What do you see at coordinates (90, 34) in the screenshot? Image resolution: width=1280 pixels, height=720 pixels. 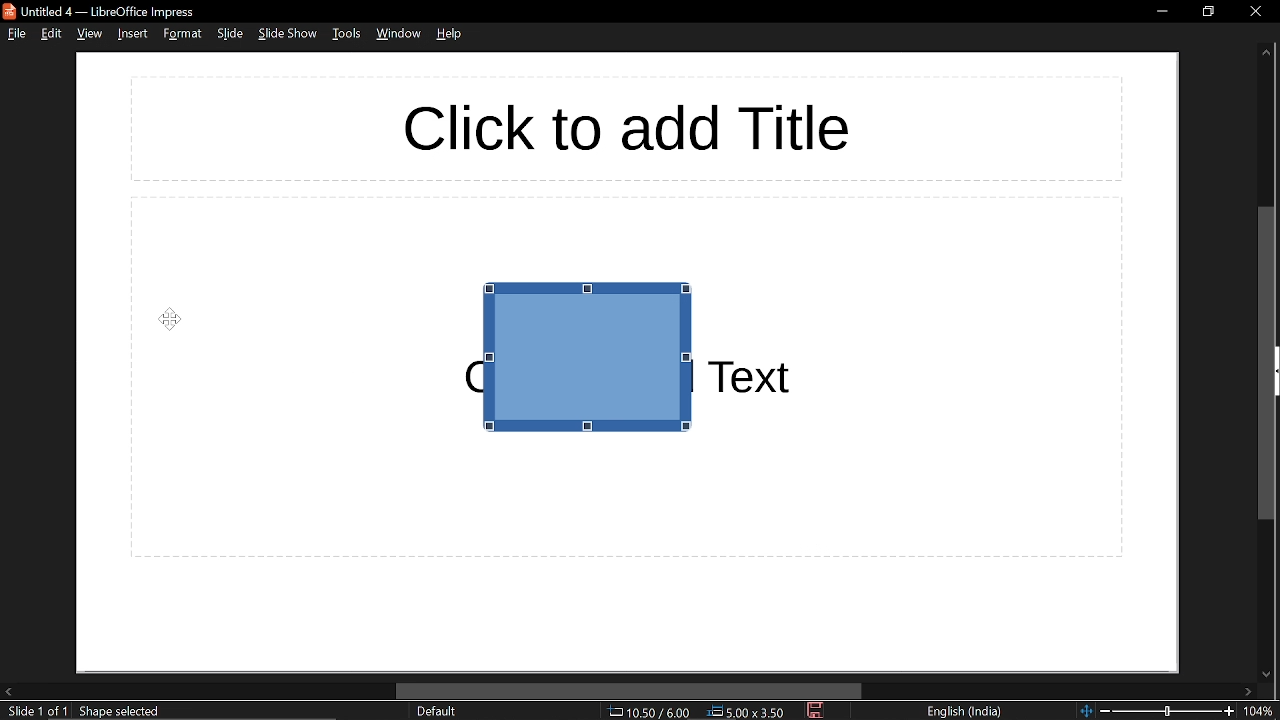 I see `view` at bounding box center [90, 34].